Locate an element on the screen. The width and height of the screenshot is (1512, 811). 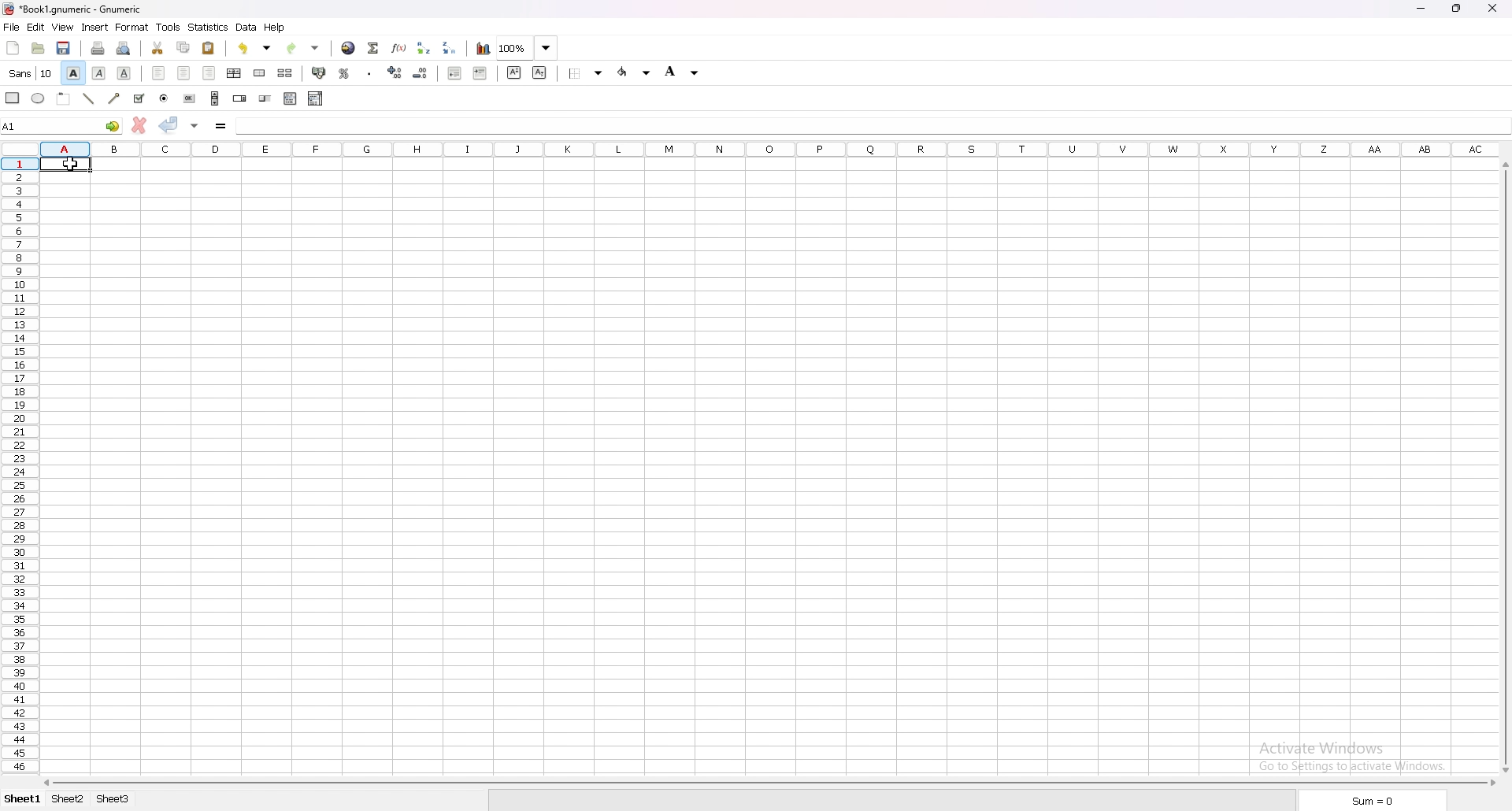
help is located at coordinates (274, 28).